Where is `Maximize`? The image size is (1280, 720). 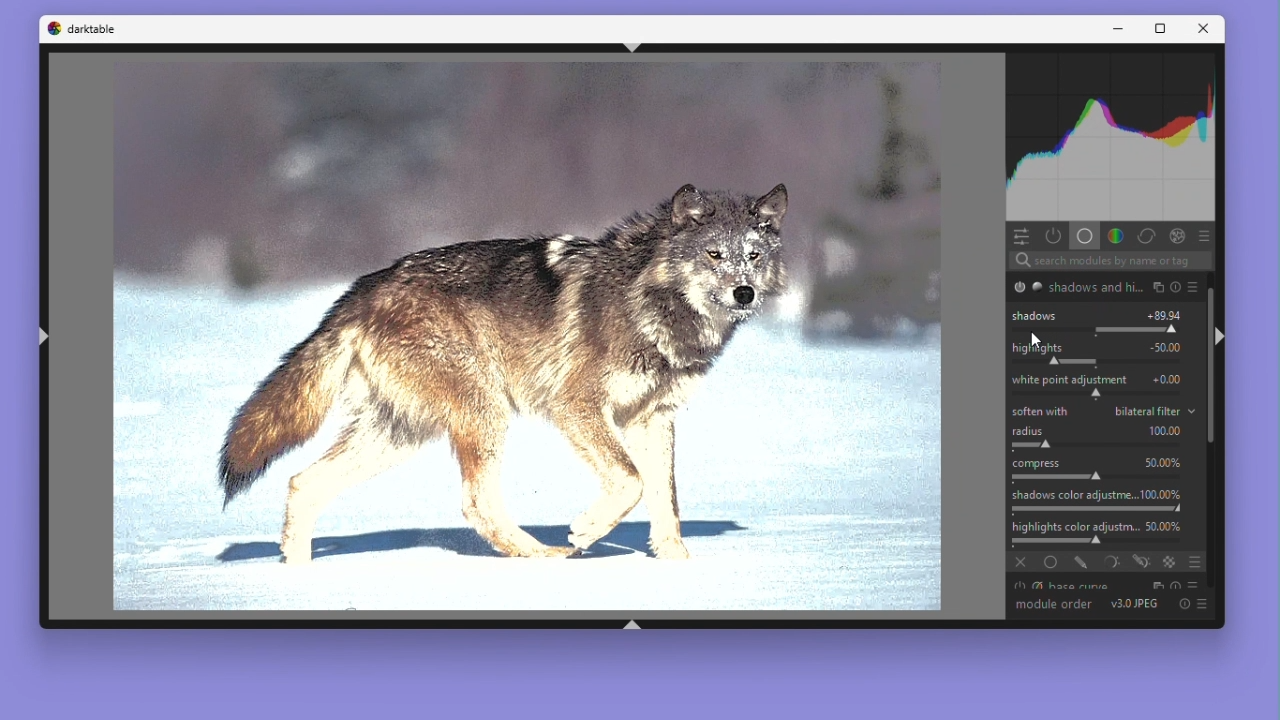 Maximize is located at coordinates (1164, 30).